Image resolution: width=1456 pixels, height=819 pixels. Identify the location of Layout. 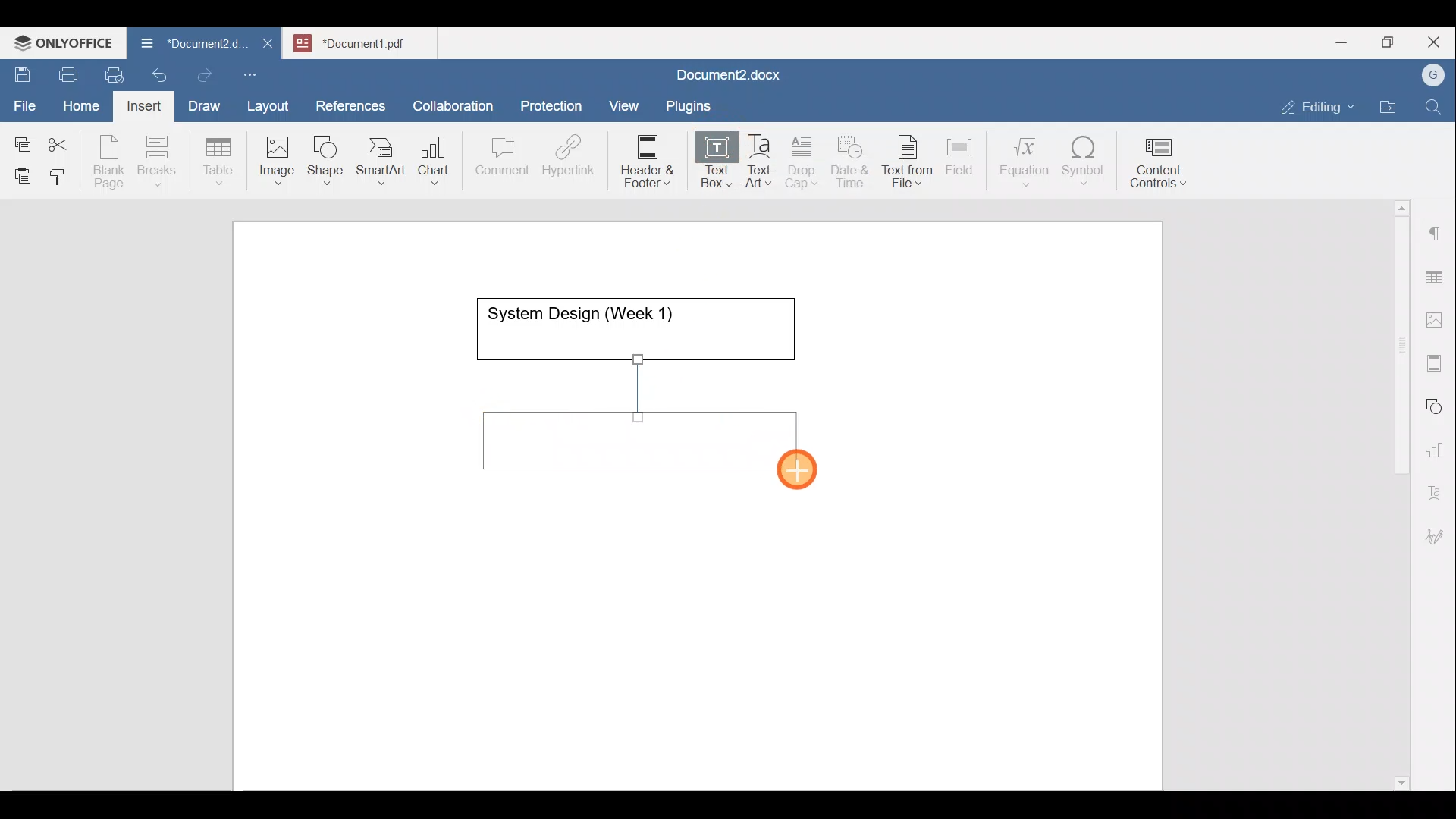
(271, 103).